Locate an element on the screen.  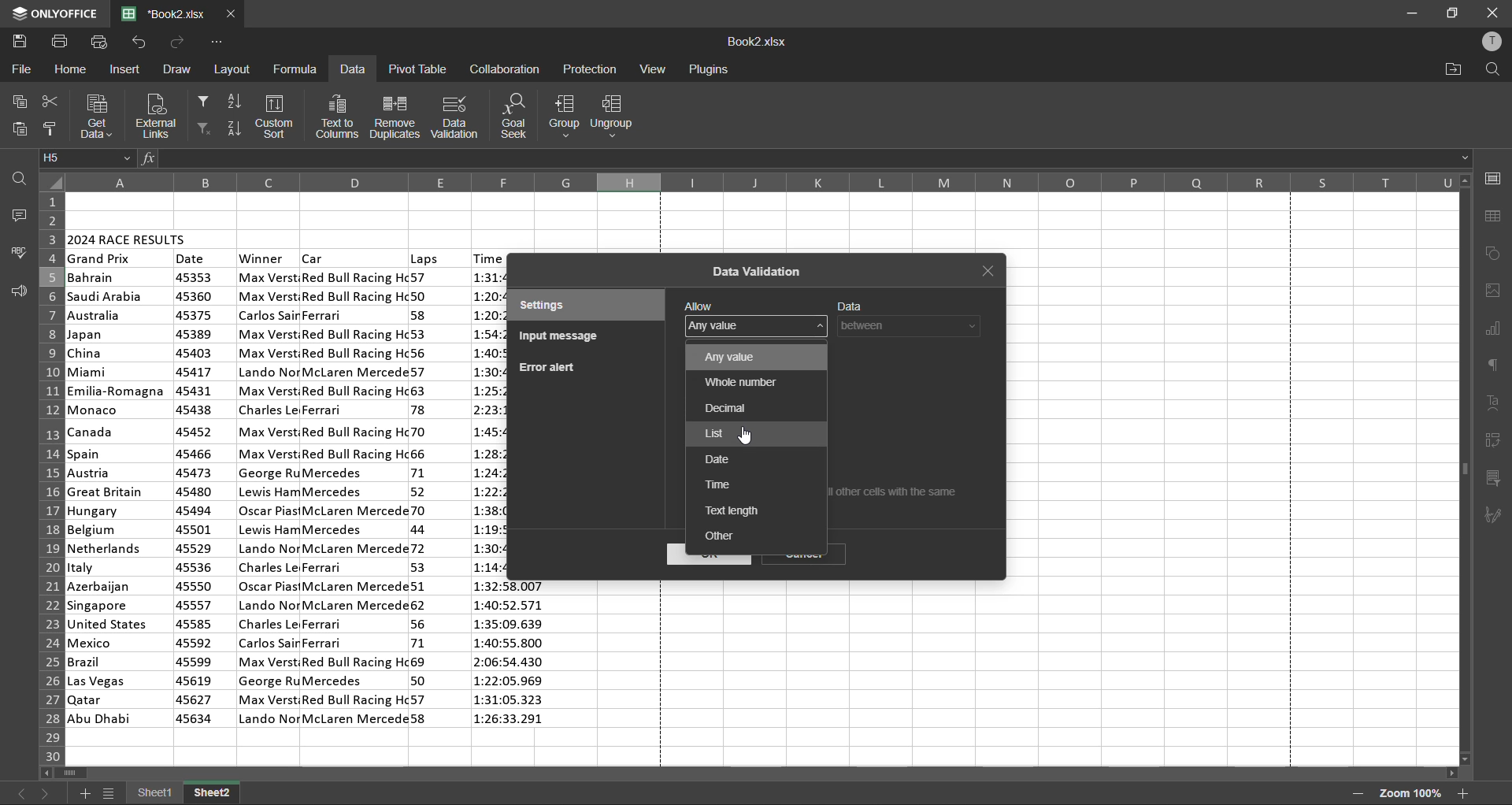
file is located at coordinates (19, 69).